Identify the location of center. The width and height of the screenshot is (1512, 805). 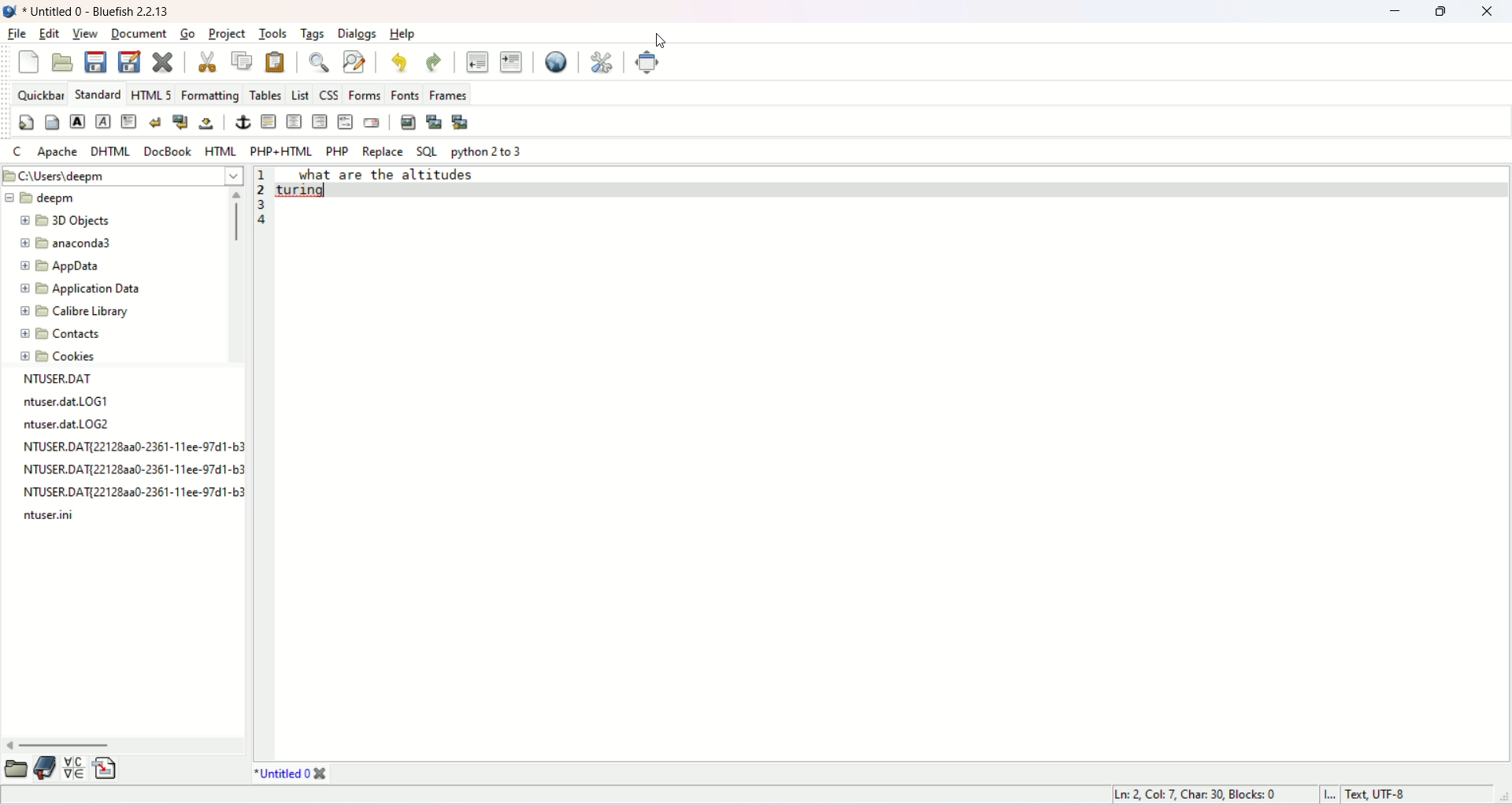
(295, 122).